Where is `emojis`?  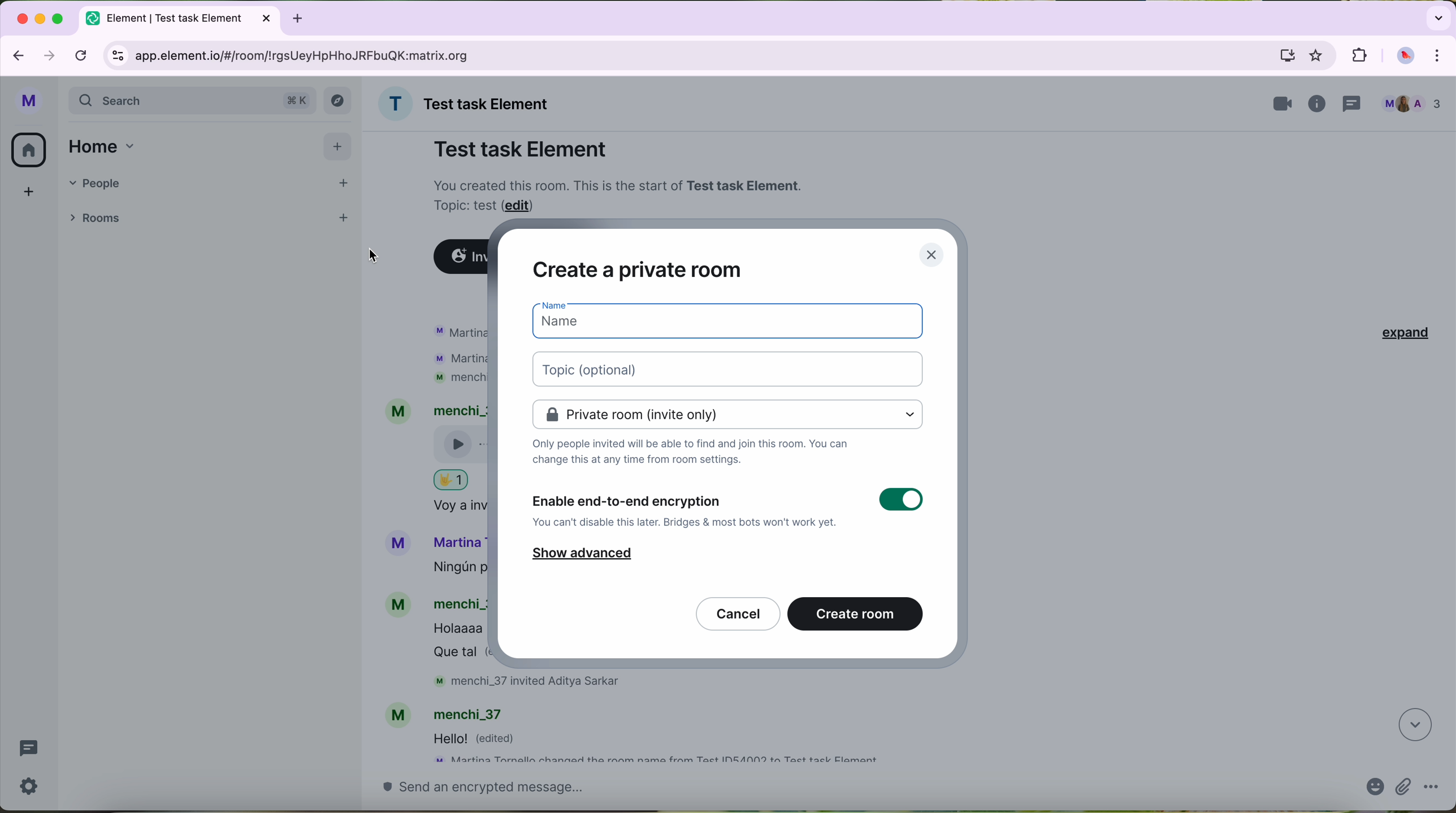
emojis is located at coordinates (1372, 790).